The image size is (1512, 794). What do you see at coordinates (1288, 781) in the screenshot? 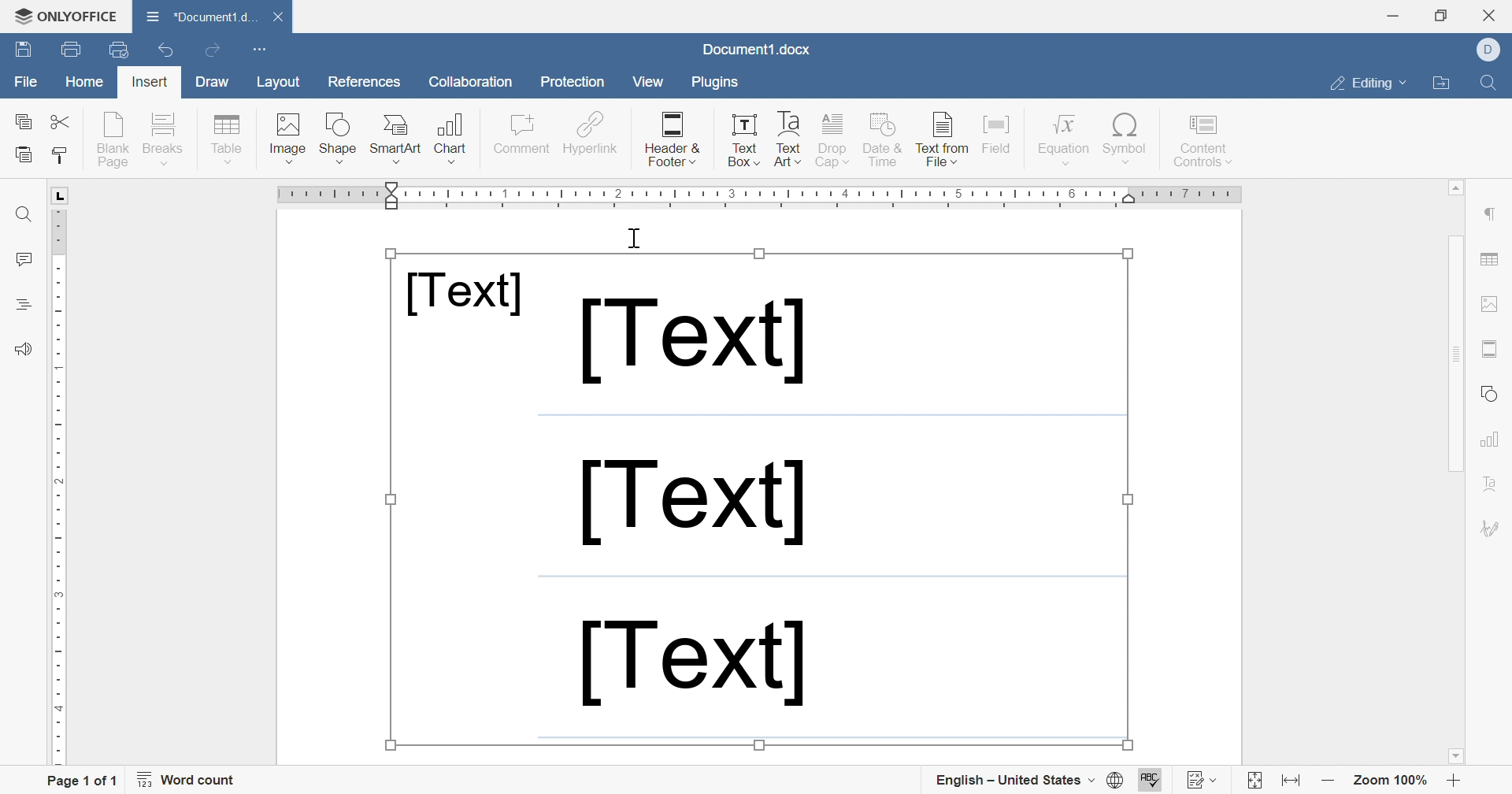
I see `Fit to width` at bounding box center [1288, 781].